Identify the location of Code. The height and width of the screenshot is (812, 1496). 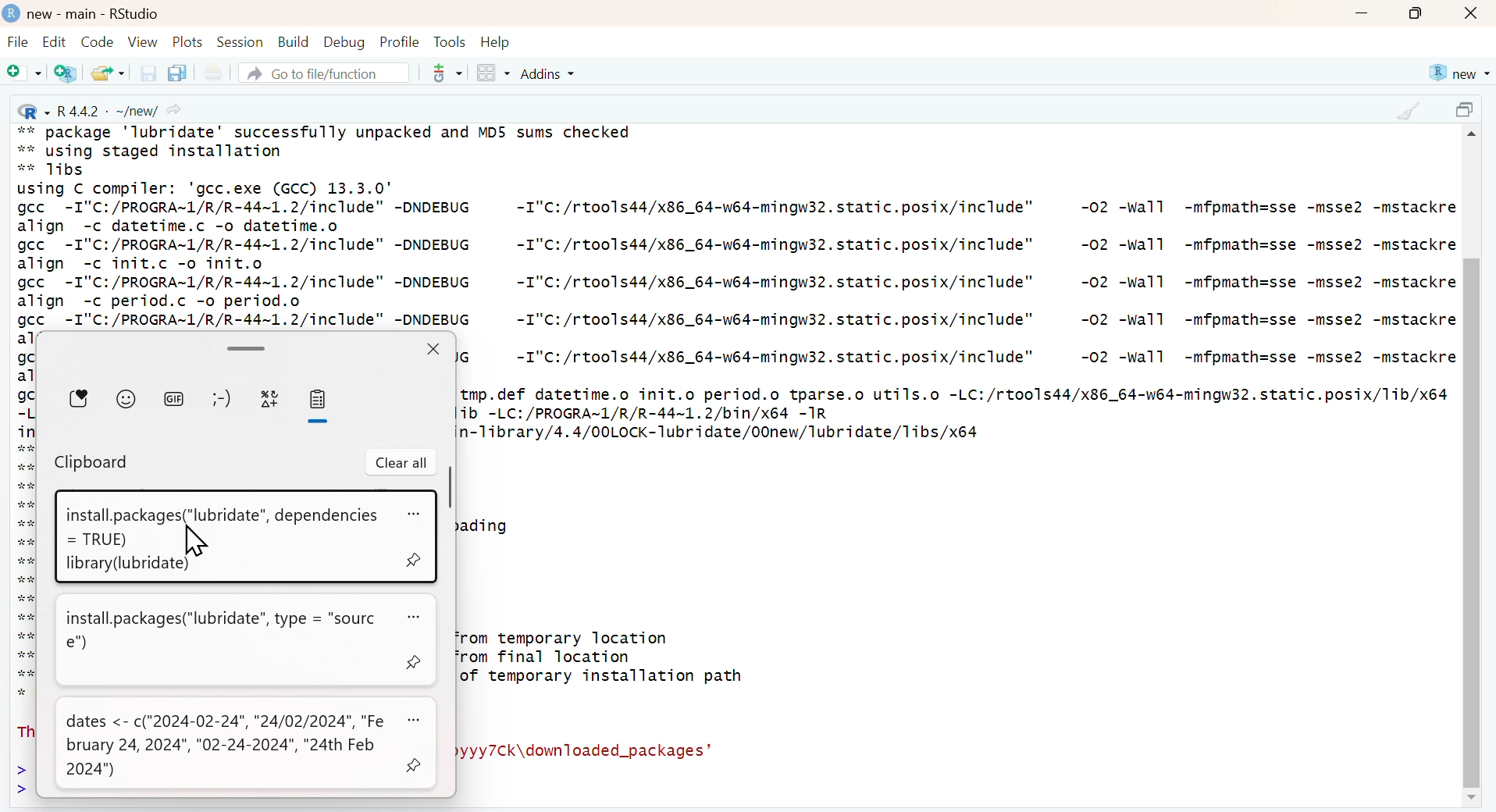
(95, 41).